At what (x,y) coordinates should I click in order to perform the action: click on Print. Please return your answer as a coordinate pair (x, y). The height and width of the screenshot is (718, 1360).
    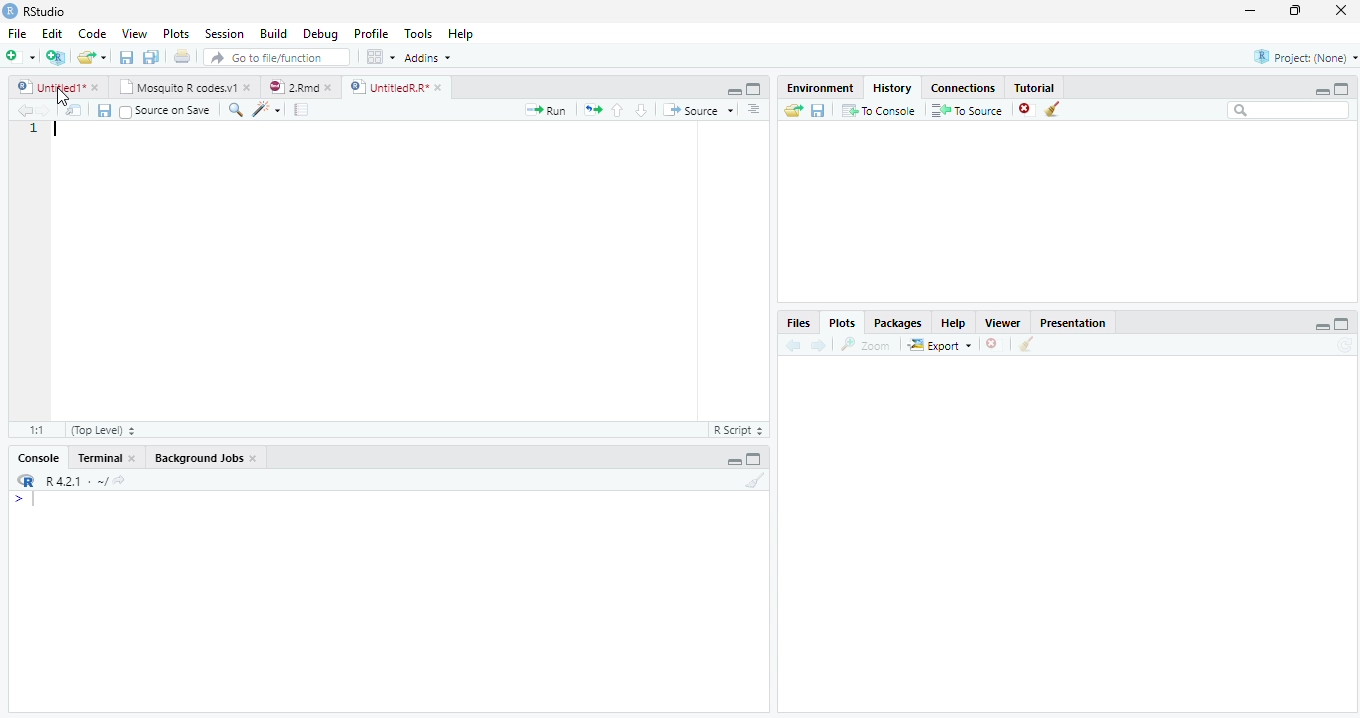
    Looking at the image, I should click on (182, 58).